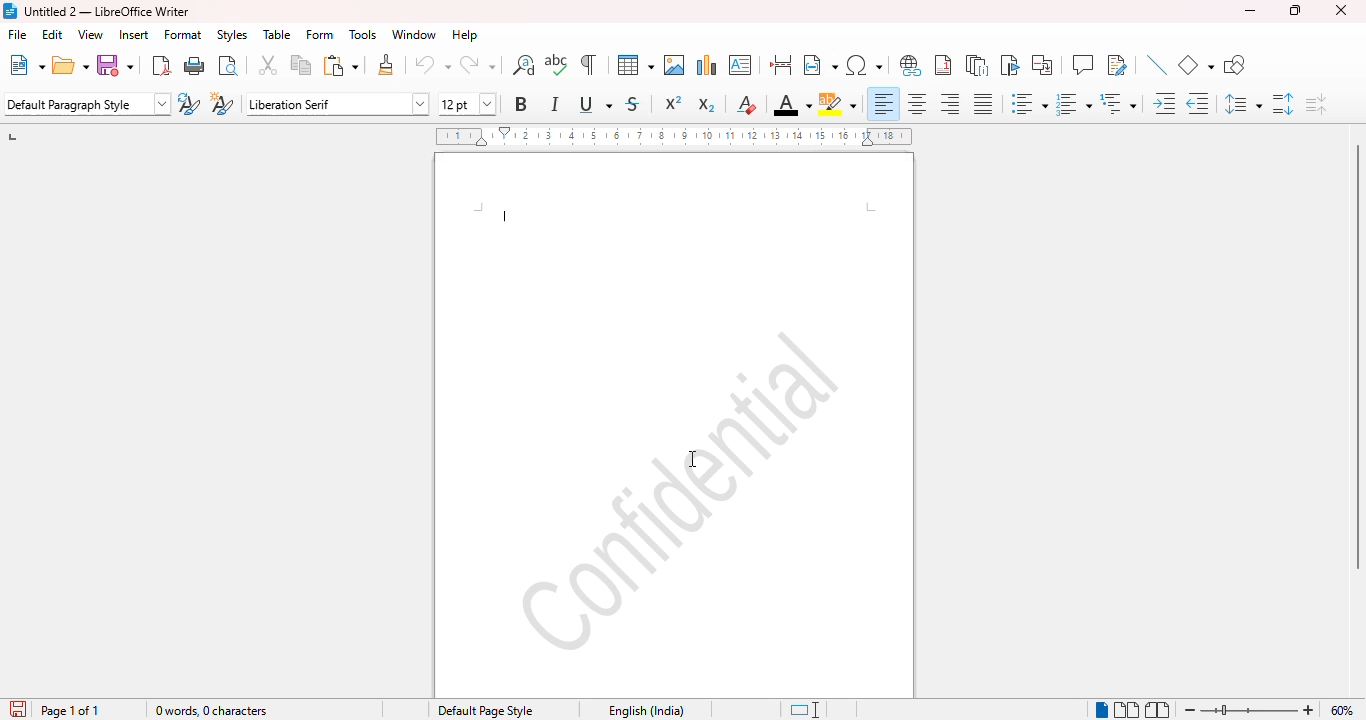 This screenshot has width=1366, height=720. Describe the element at coordinates (1009, 65) in the screenshot. I see `insert bookmark` at that location.